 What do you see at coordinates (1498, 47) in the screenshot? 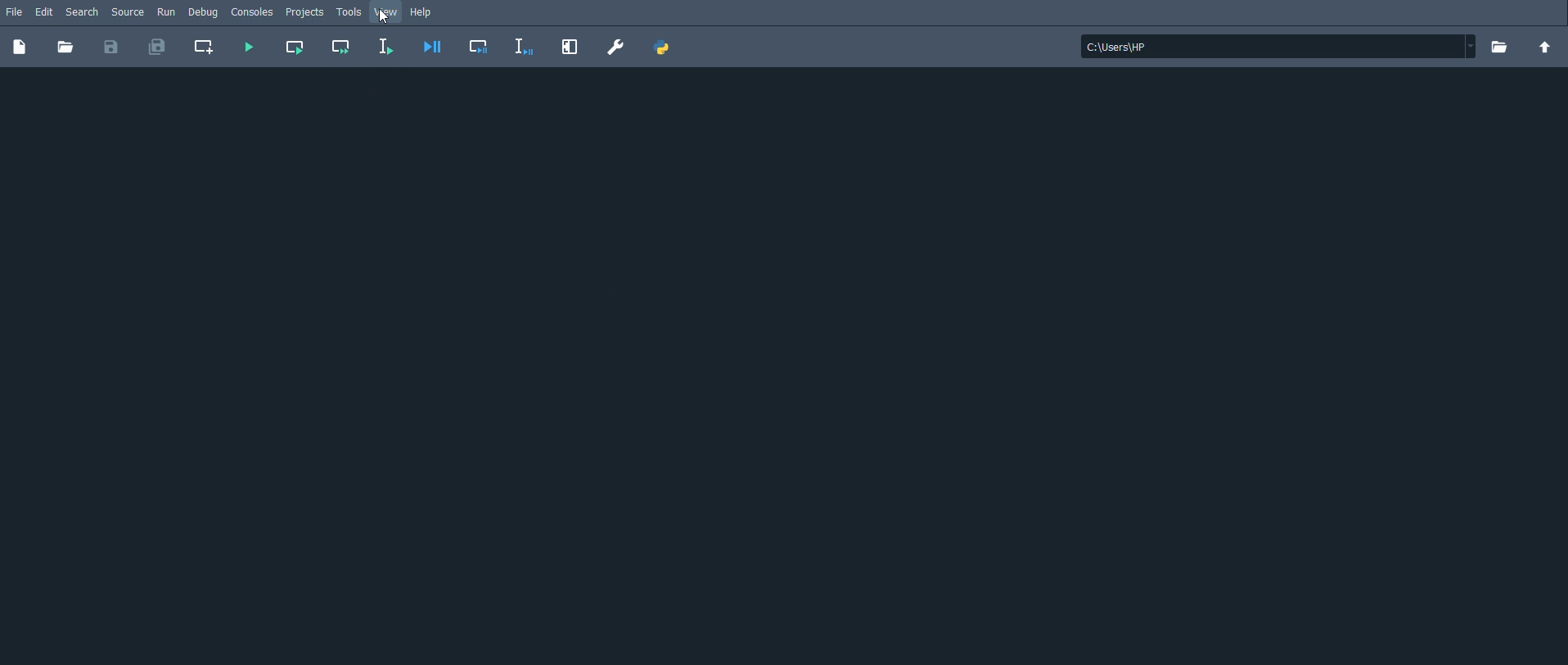
I see `Browse a working directory` at bounding box center [1498, 47].